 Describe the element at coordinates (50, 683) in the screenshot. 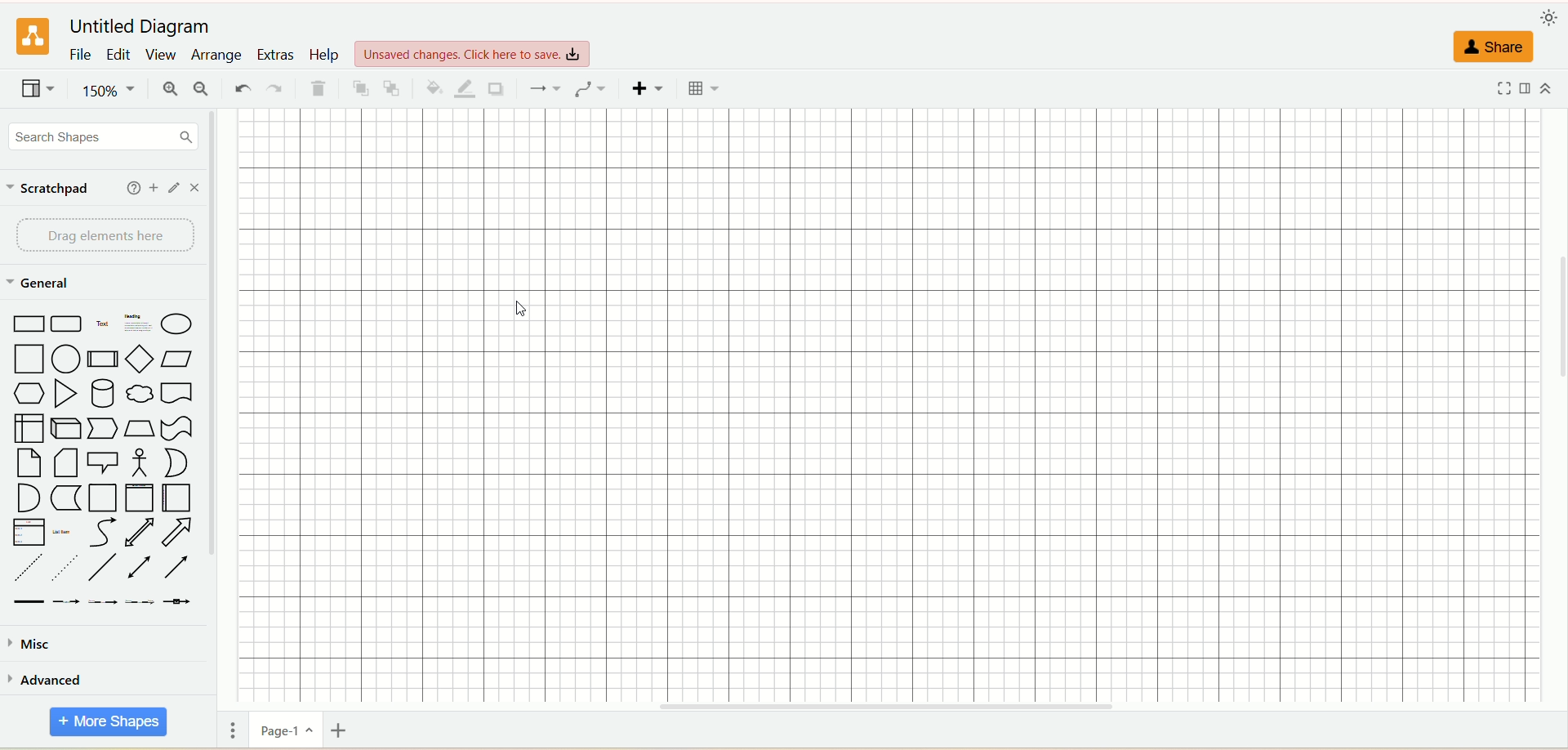

I see `advanced` at that location.